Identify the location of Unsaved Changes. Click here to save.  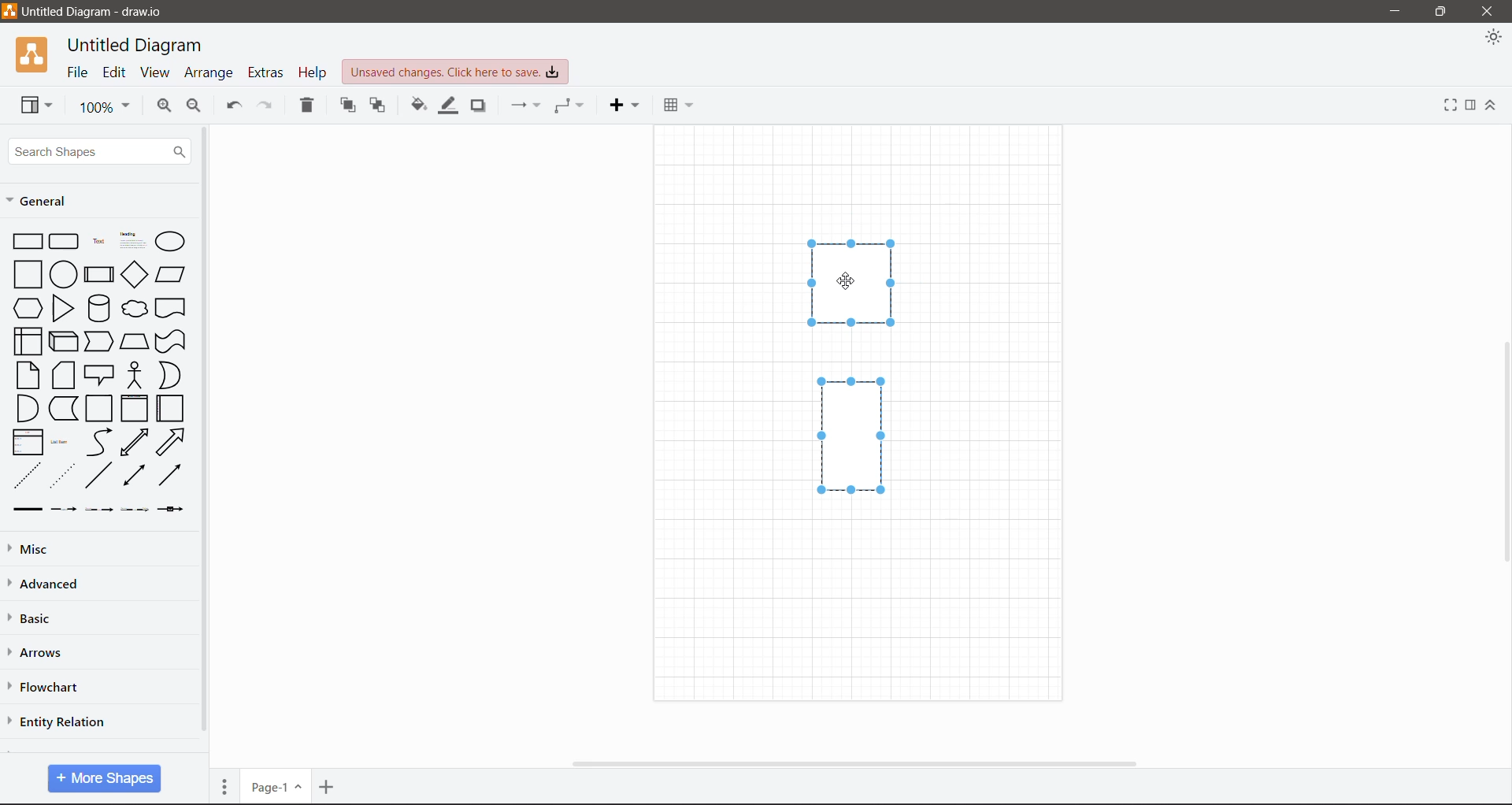
(455, 73).